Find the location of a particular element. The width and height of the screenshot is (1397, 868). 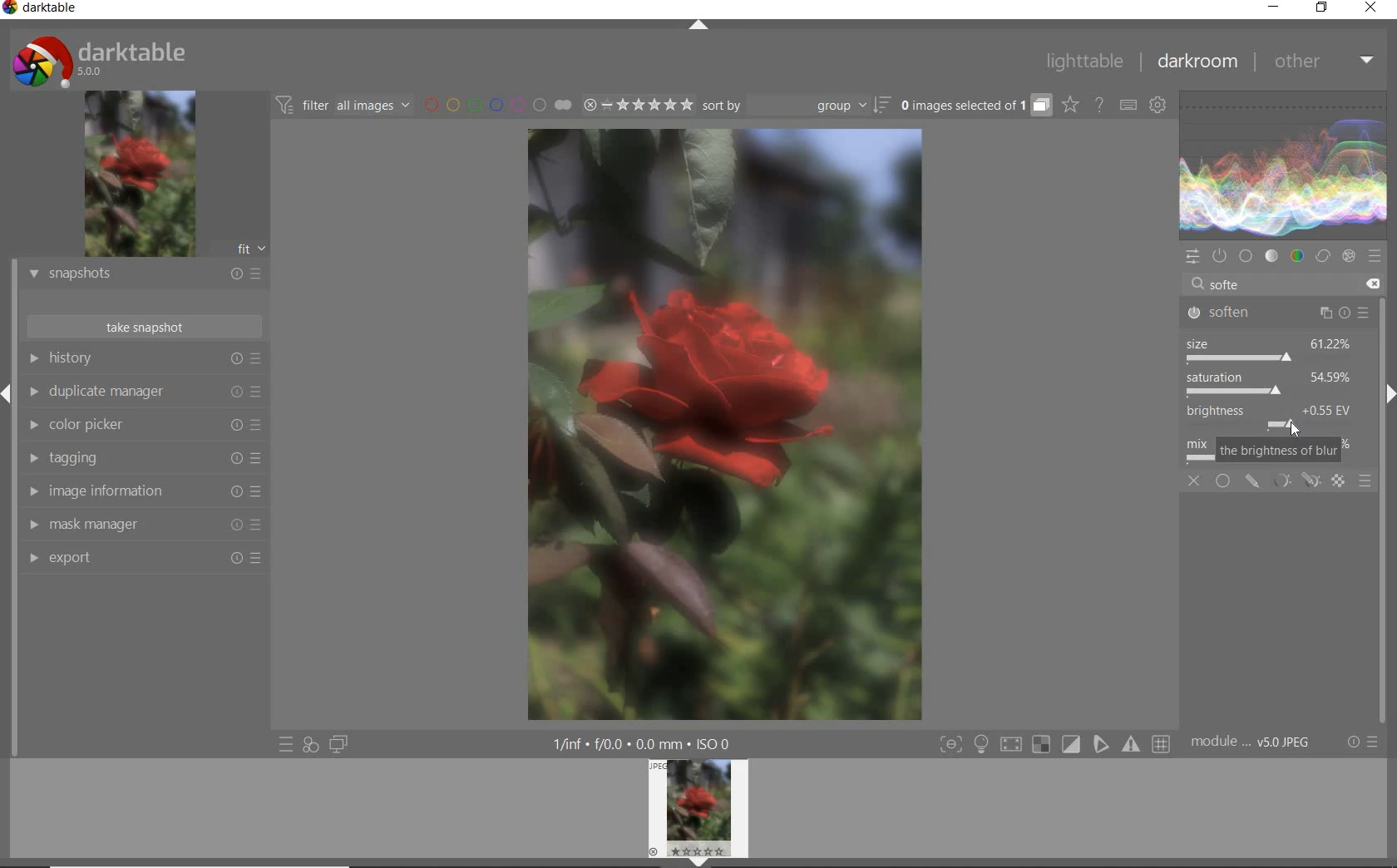

module..v50JPEG is located at coordinates (1256, 742).